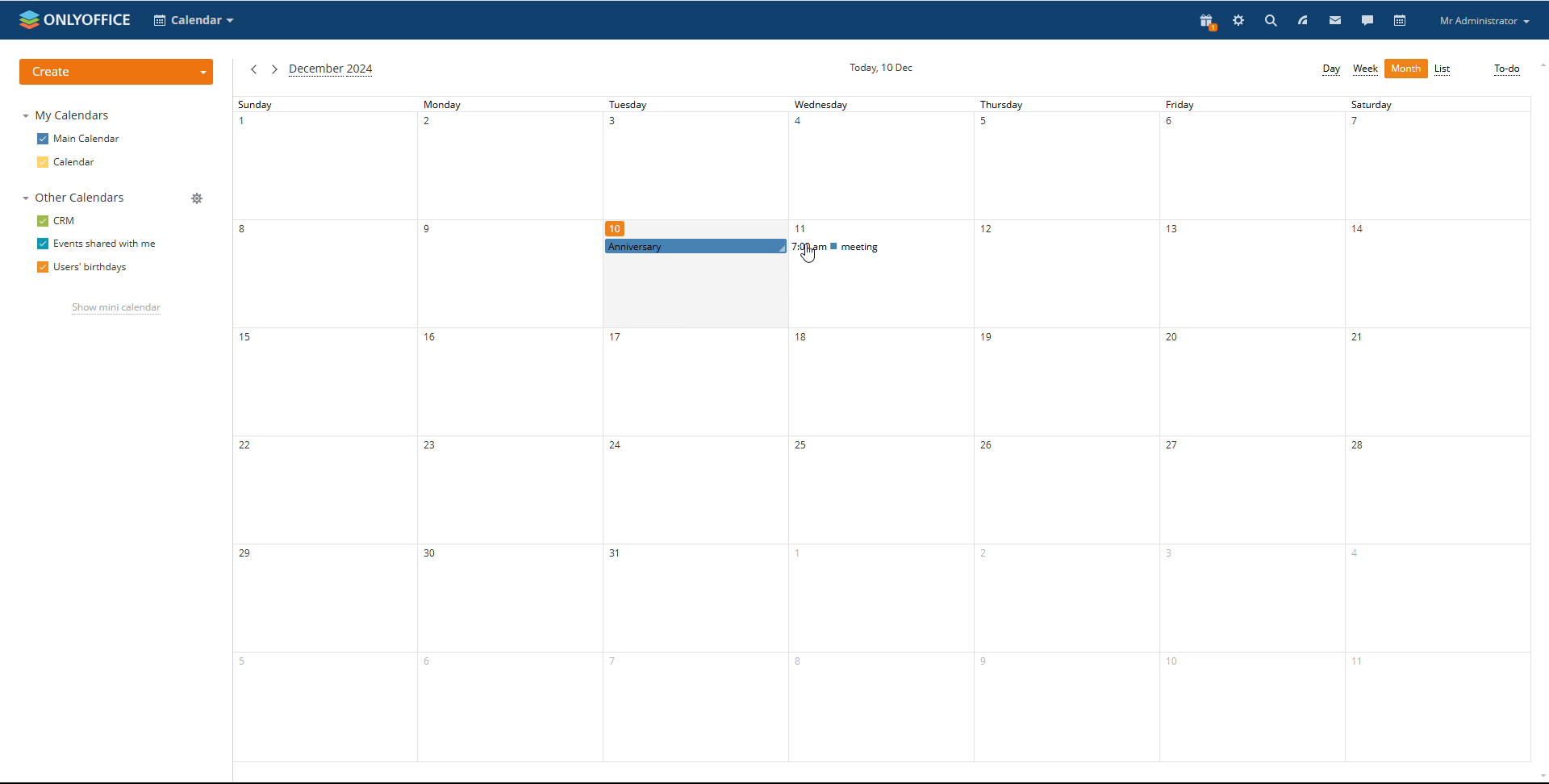  Describe the element at coordinates (1443, 69) in the screenshot. I see `list view` at that location.